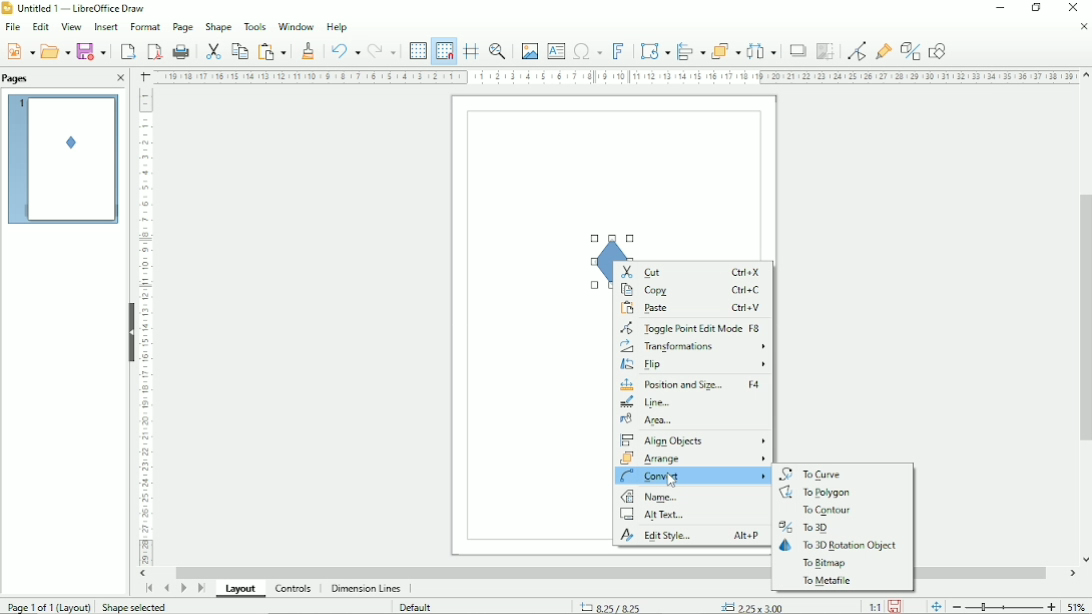 This screenshot has width=1092, height=614. What do you see at coordinates (692, 291) in the screenshot?
I see `Copy` at bounding box center [692, 291].